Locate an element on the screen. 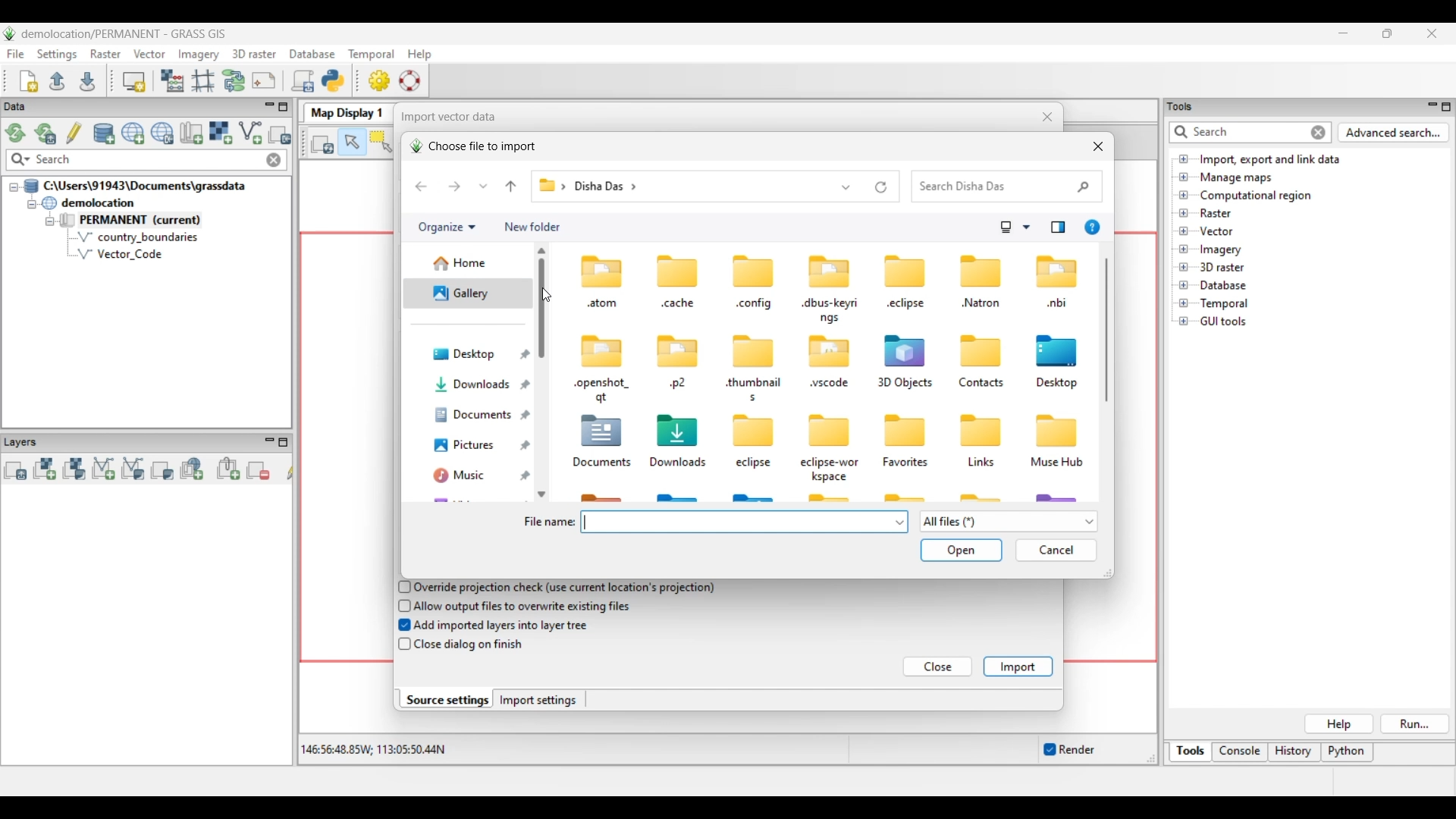  Organize current folder is located at coordinates (446, 227).